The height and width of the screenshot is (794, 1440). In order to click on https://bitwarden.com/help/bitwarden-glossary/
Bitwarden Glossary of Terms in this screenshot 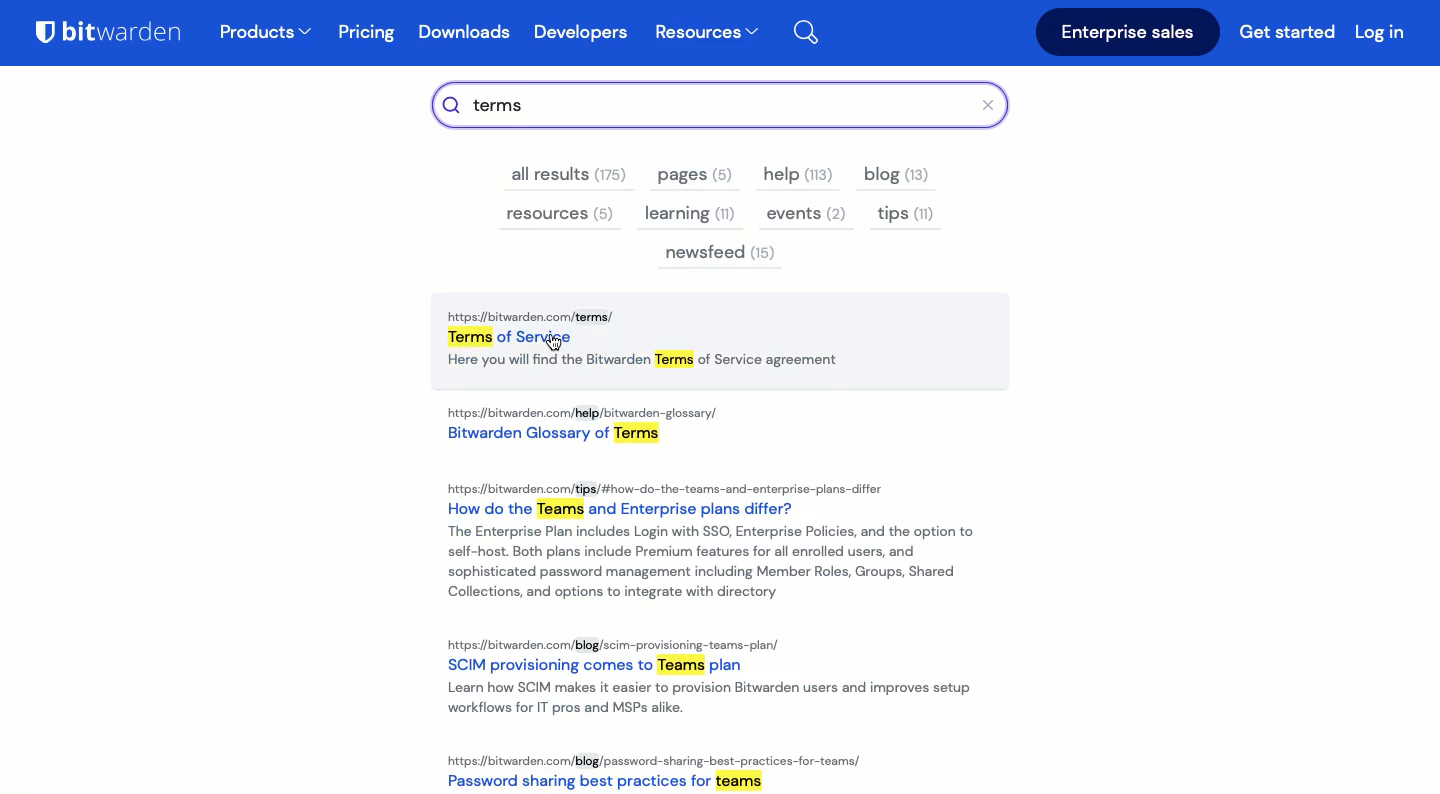, I will do `click(587, 428)`.